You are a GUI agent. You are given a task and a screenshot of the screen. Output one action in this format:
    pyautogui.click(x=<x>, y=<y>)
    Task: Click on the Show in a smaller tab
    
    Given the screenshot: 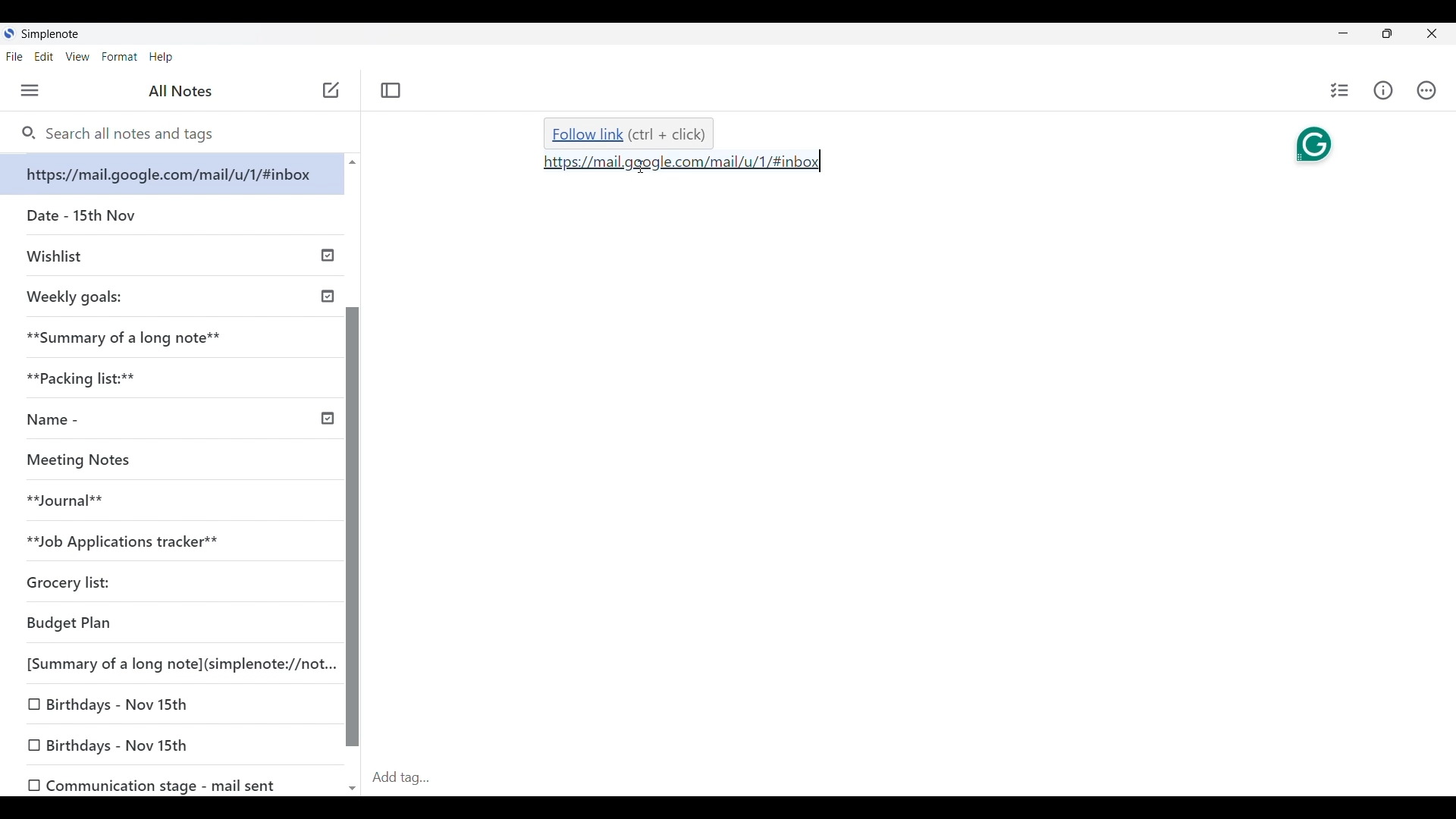 What is the action you would take?
    pyautogui.click(x=1387, y=33)
    